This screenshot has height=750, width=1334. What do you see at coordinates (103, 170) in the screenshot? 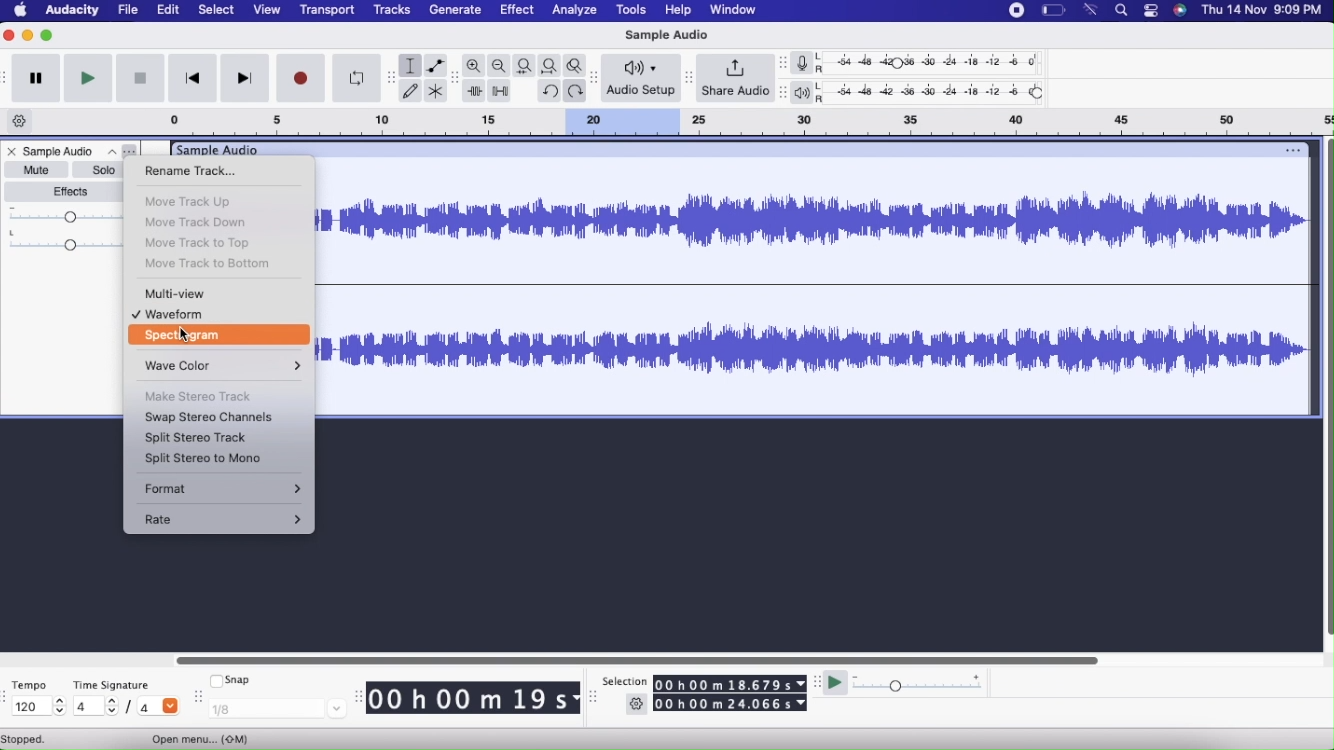
I see `Solo` at bounding box center [103, 170].